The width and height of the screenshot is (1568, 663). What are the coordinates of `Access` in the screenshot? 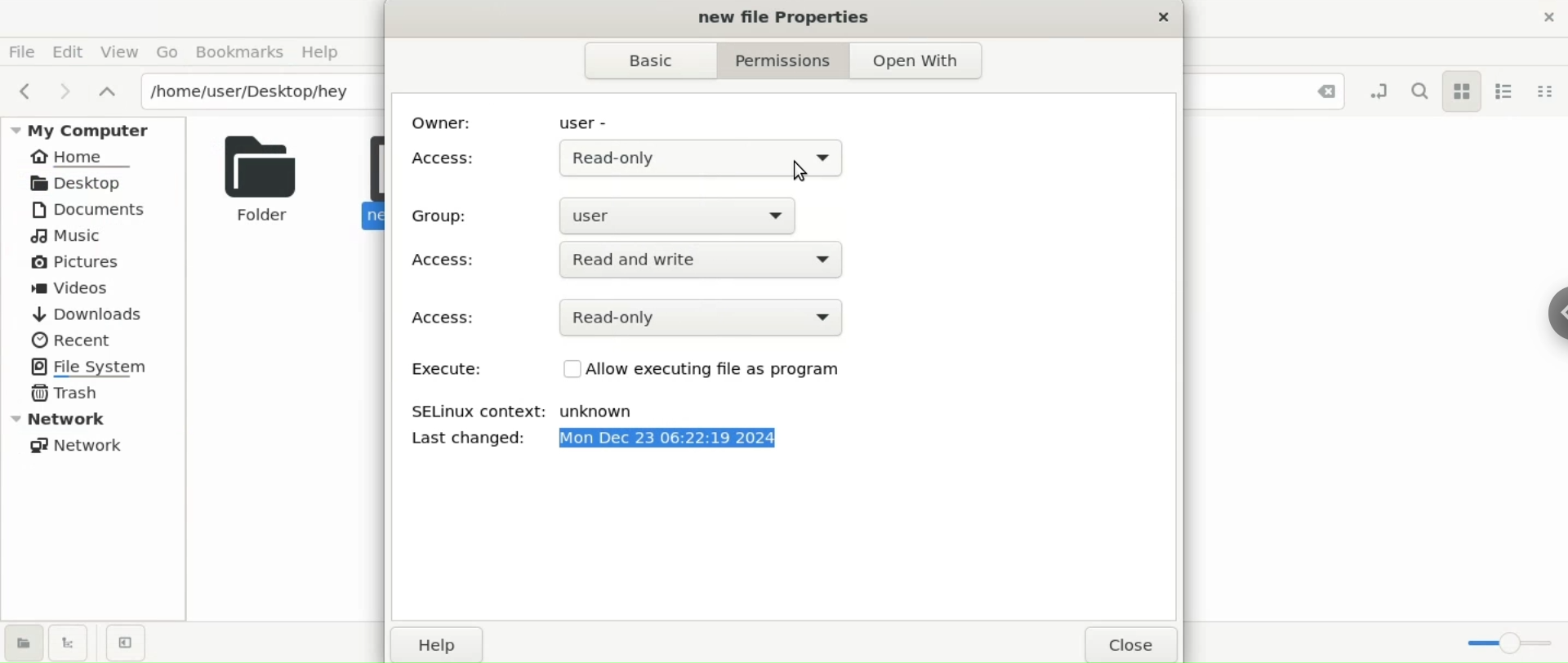 It's located at (445, 318).